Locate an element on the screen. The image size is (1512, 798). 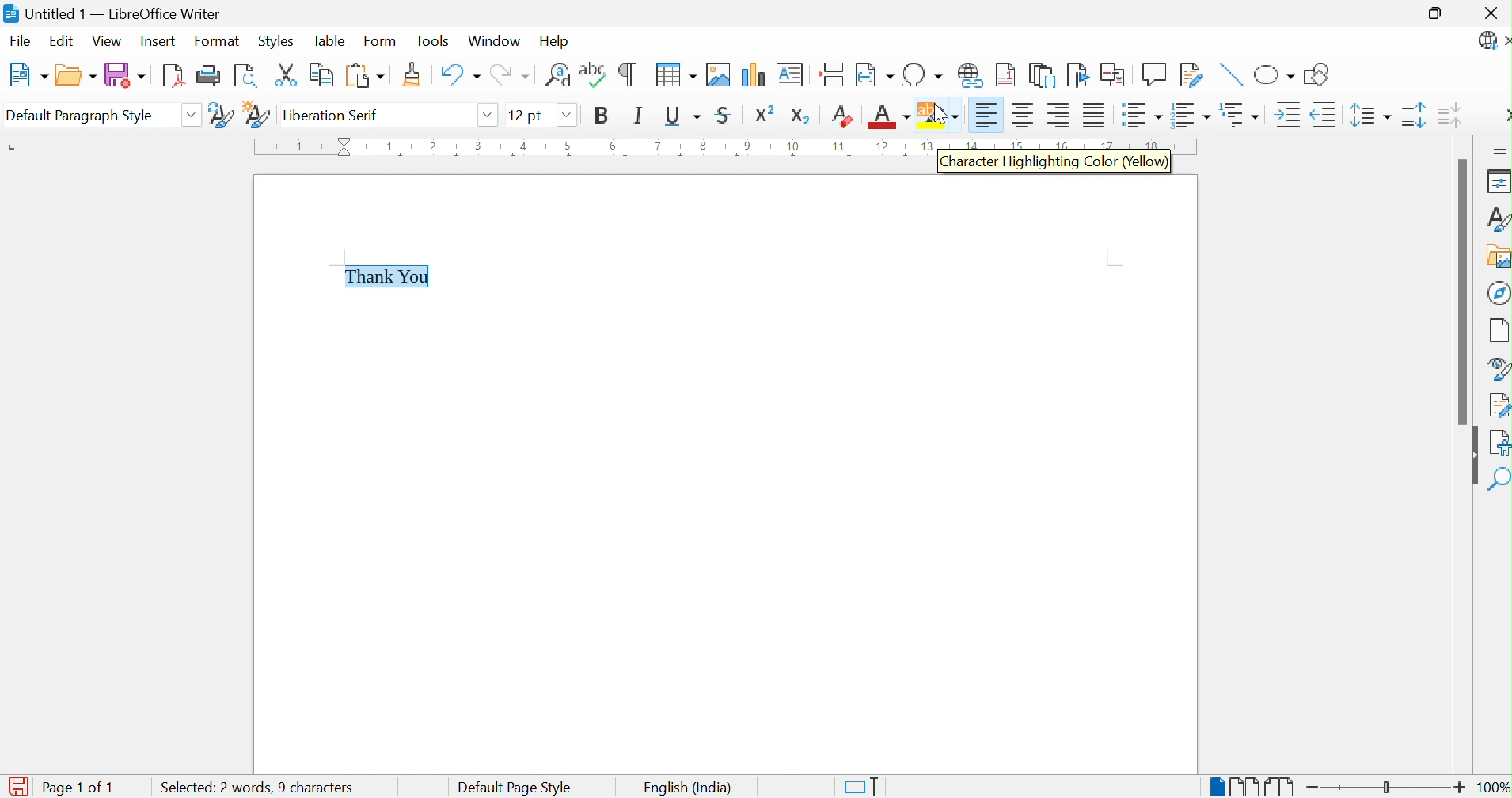
Clone Formatting is located at coordinates (412, 74).